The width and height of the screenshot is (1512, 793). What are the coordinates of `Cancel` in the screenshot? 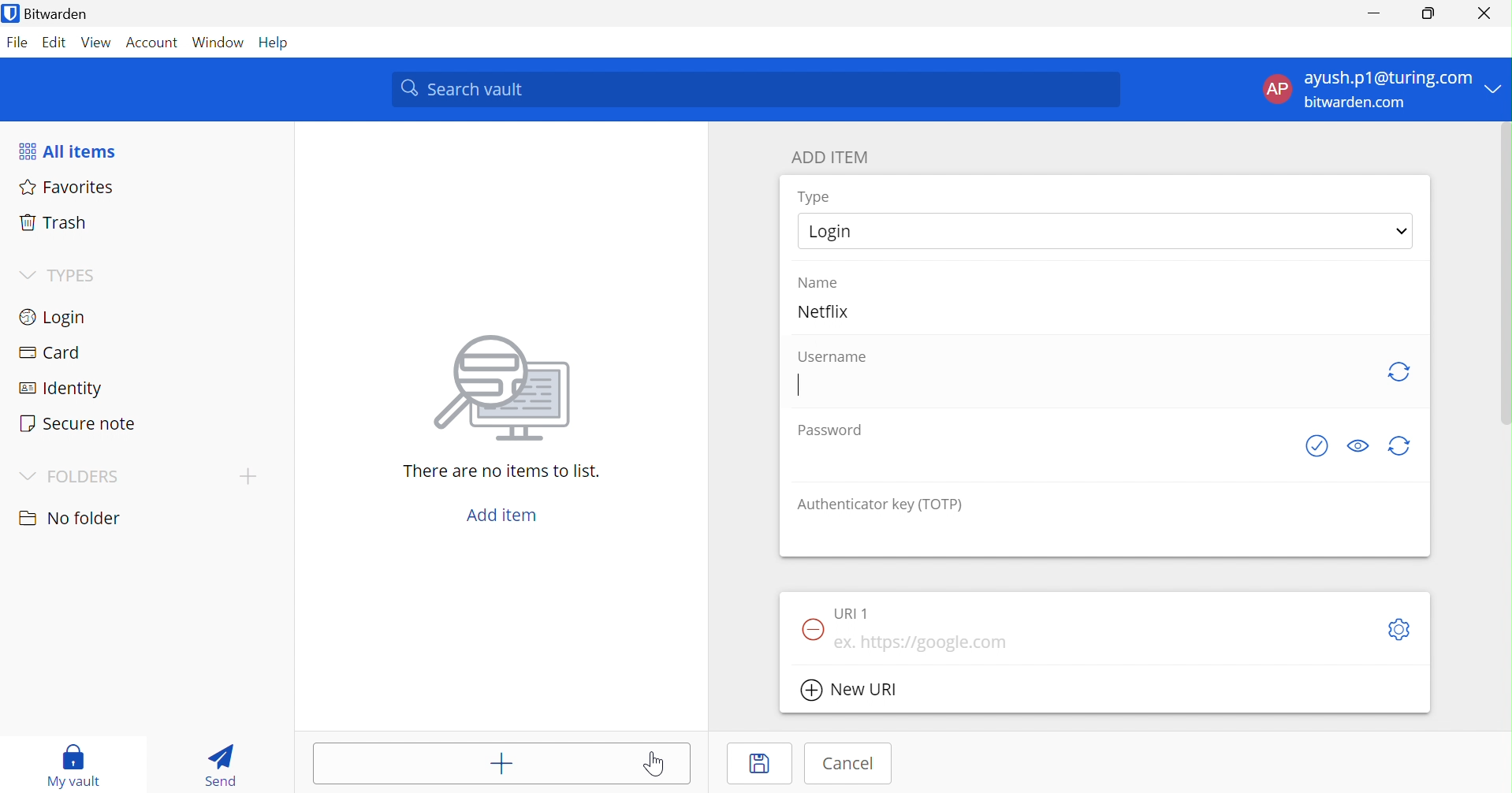 It's located at (849, 764).